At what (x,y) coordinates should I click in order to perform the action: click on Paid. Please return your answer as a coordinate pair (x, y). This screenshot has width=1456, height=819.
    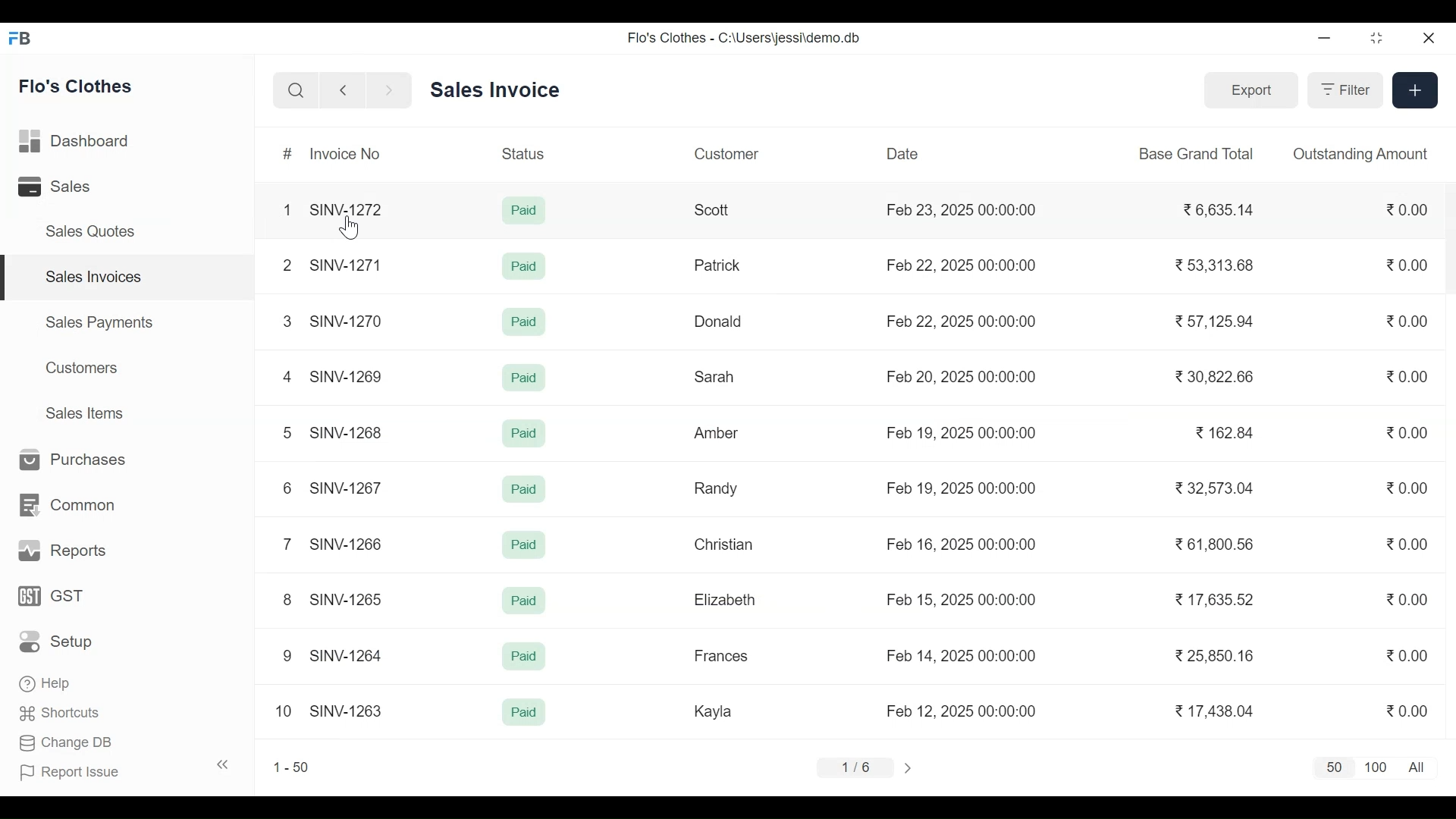
    Looking at the image, I should click on (523, 657).